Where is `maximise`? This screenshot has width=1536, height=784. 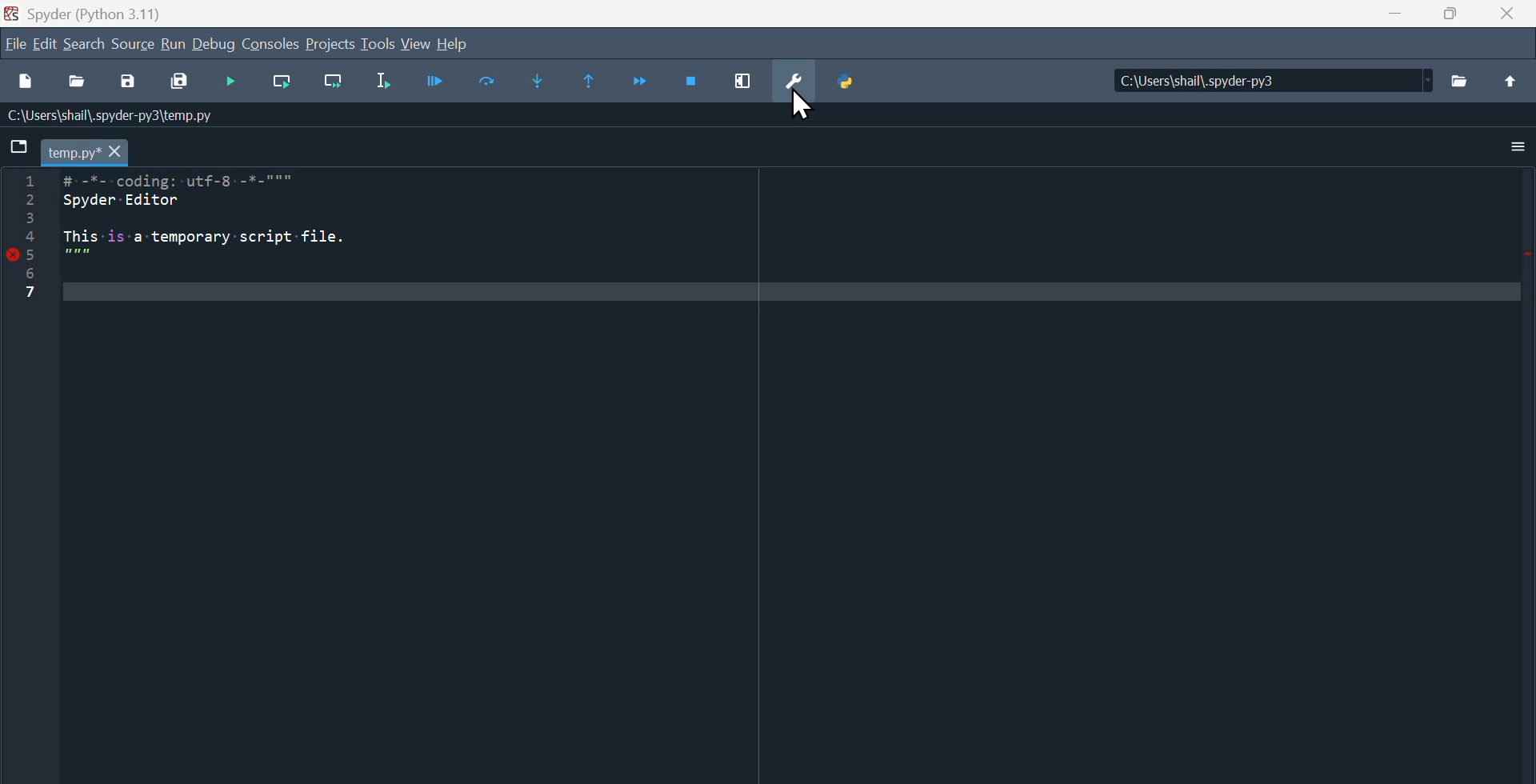
maximise is located at coordinates (1452, 19).